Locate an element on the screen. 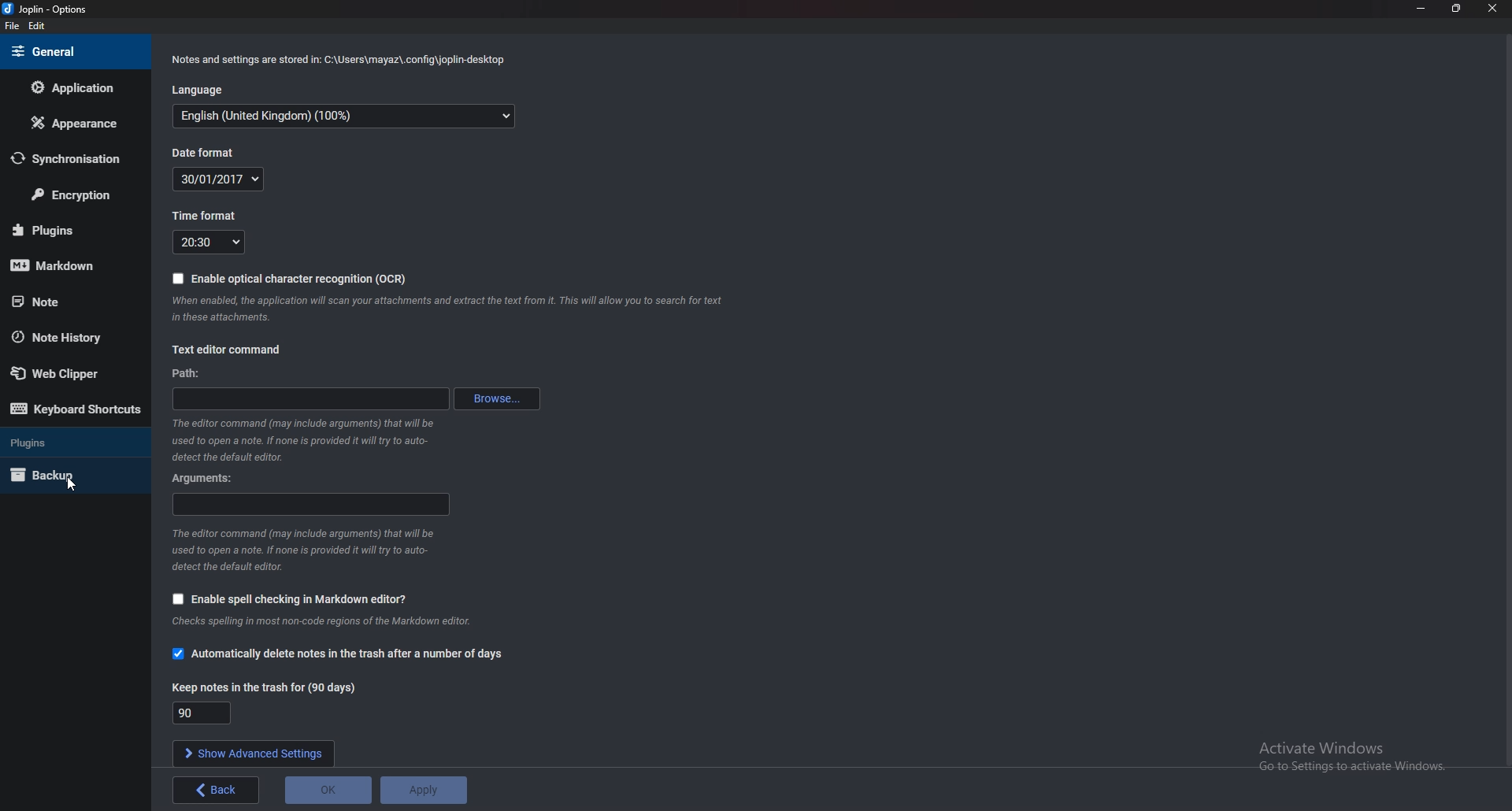  Info on spell checking is located at coordinates (350, 623).